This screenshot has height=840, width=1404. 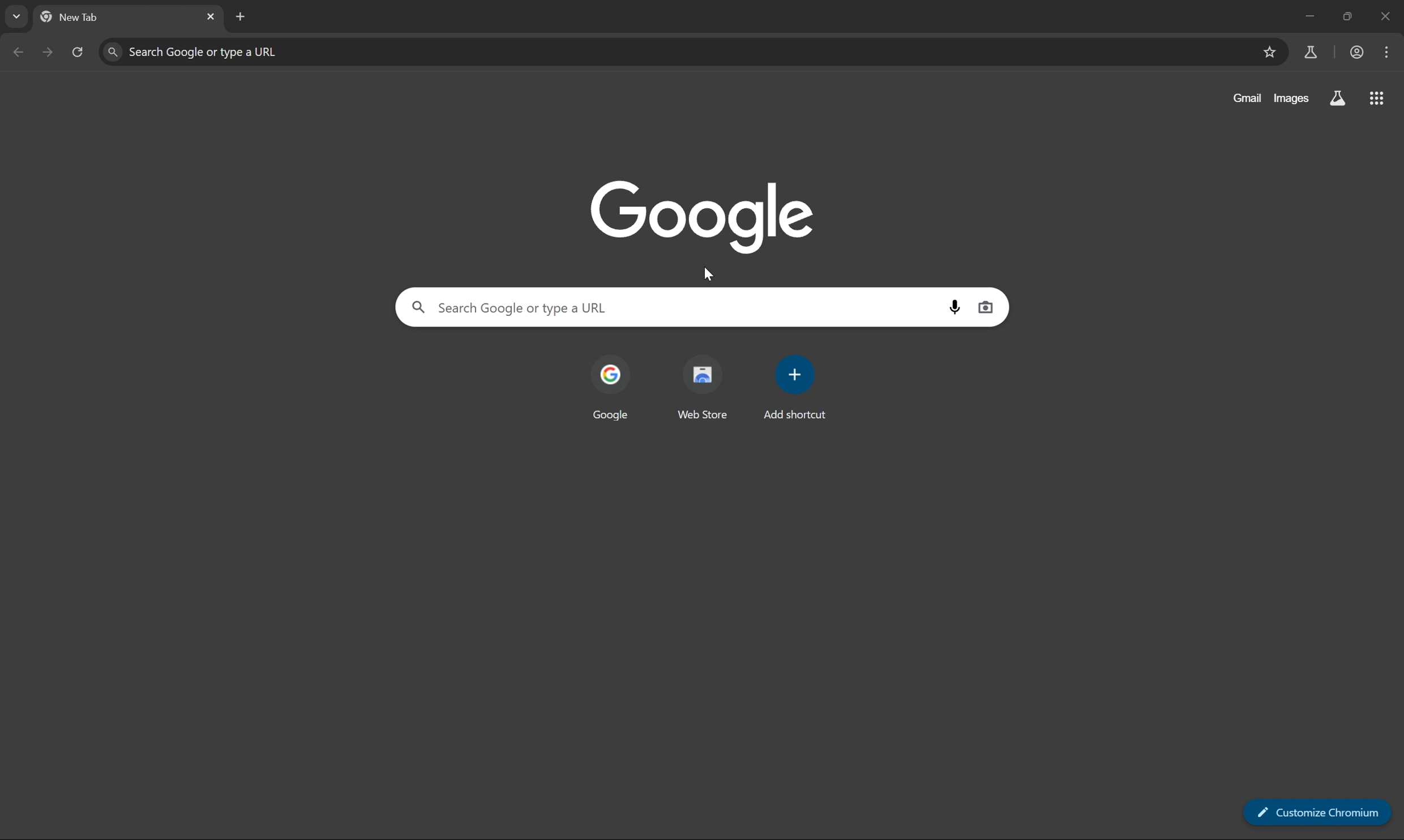 I want to click on search Google or type a URL, so click(x=667, y=307).